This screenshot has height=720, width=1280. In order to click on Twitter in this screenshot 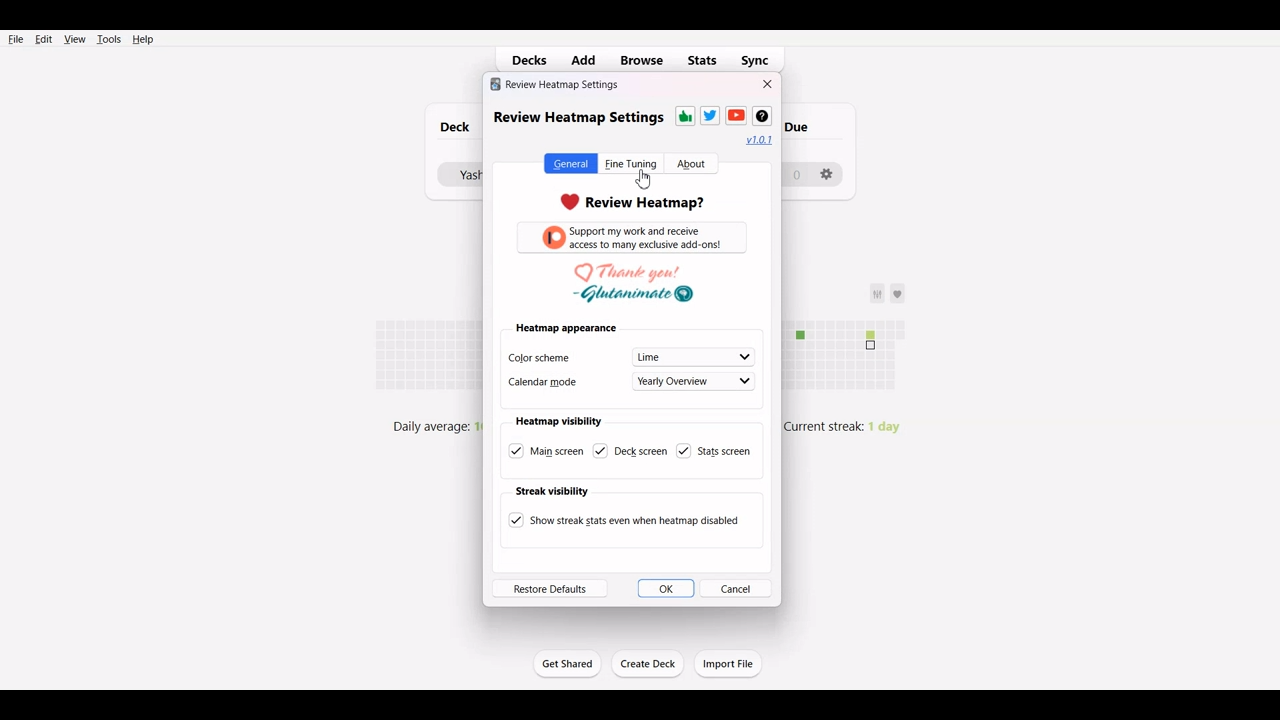, I will do `click(710, 115)`.